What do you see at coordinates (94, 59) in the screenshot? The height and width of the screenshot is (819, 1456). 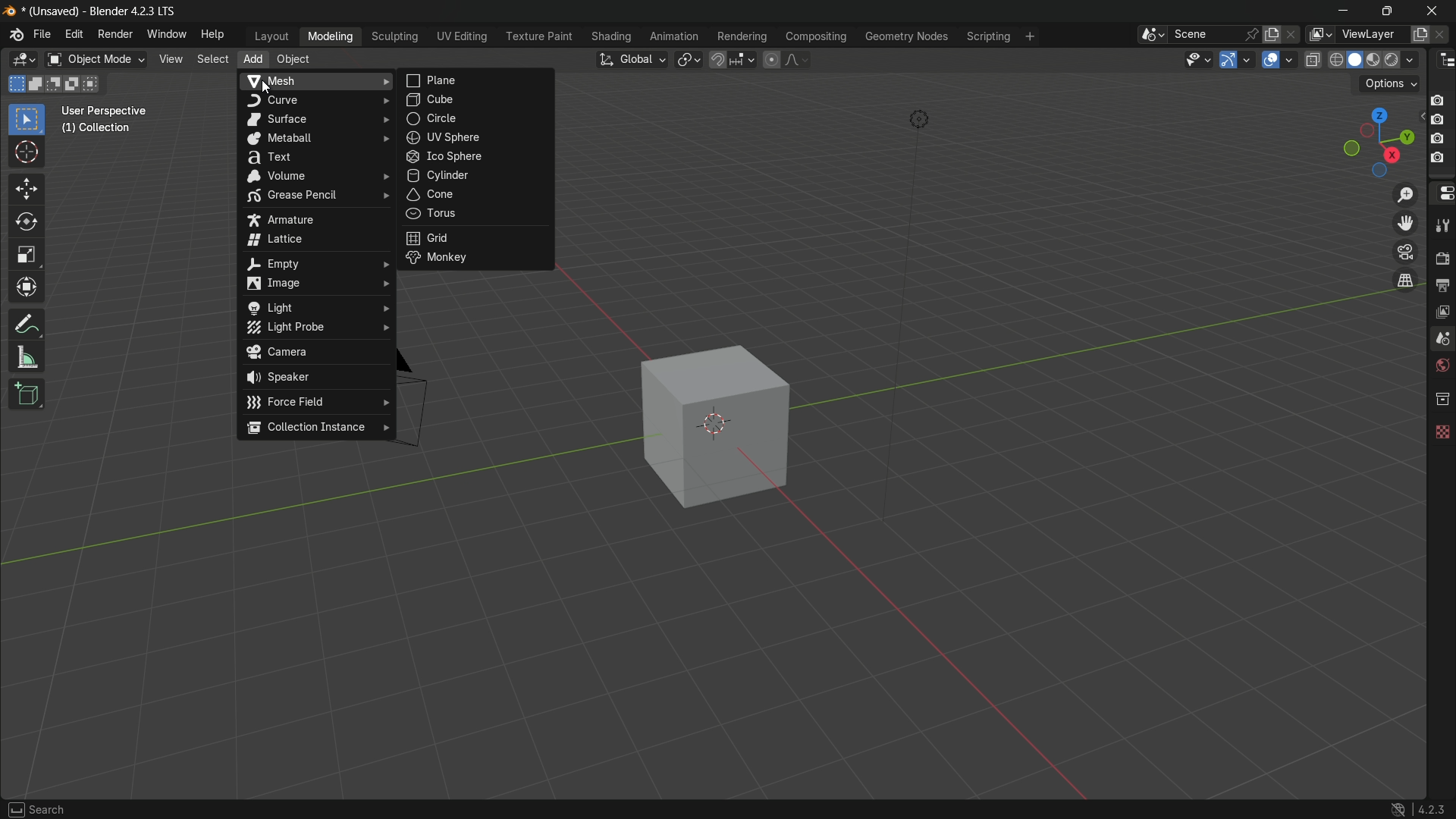 I see `switch mode` at bounding box center [94, 59].